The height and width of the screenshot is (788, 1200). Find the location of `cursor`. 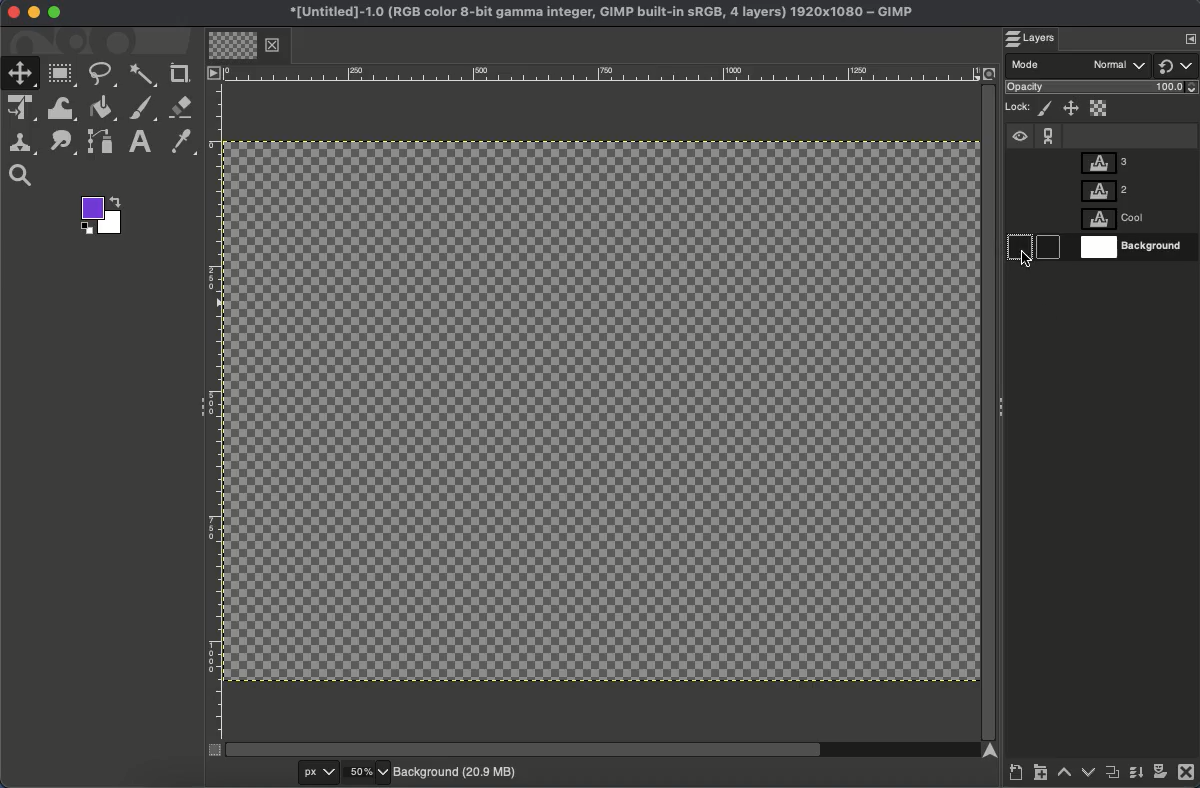

cursor is located at coordinates (1024, 261).